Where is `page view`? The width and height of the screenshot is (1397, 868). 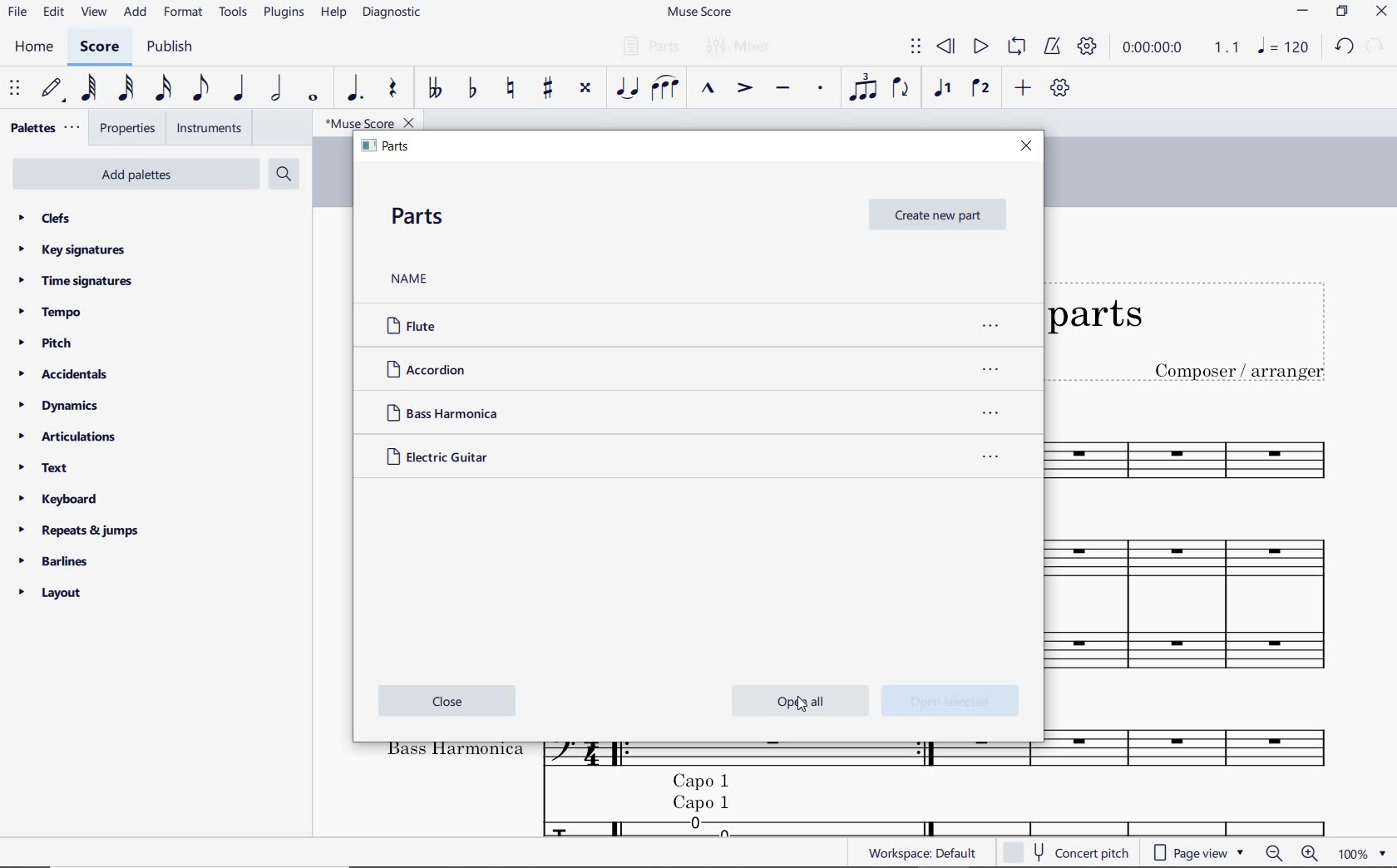 page view is located at coordinates (1197, 852).